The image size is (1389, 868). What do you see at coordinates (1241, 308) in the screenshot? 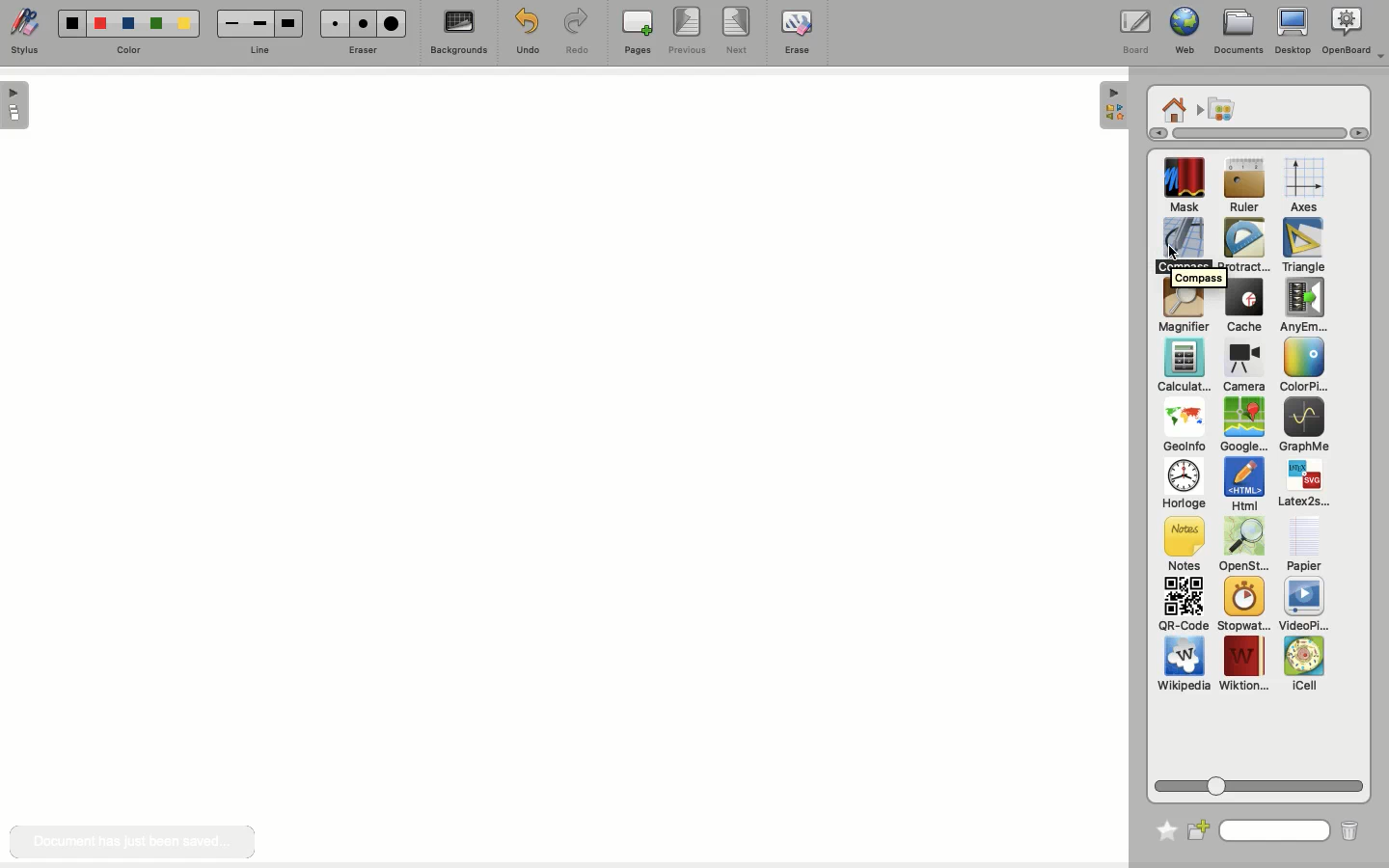
I see `Cache` at bounding box center [1241, 308].